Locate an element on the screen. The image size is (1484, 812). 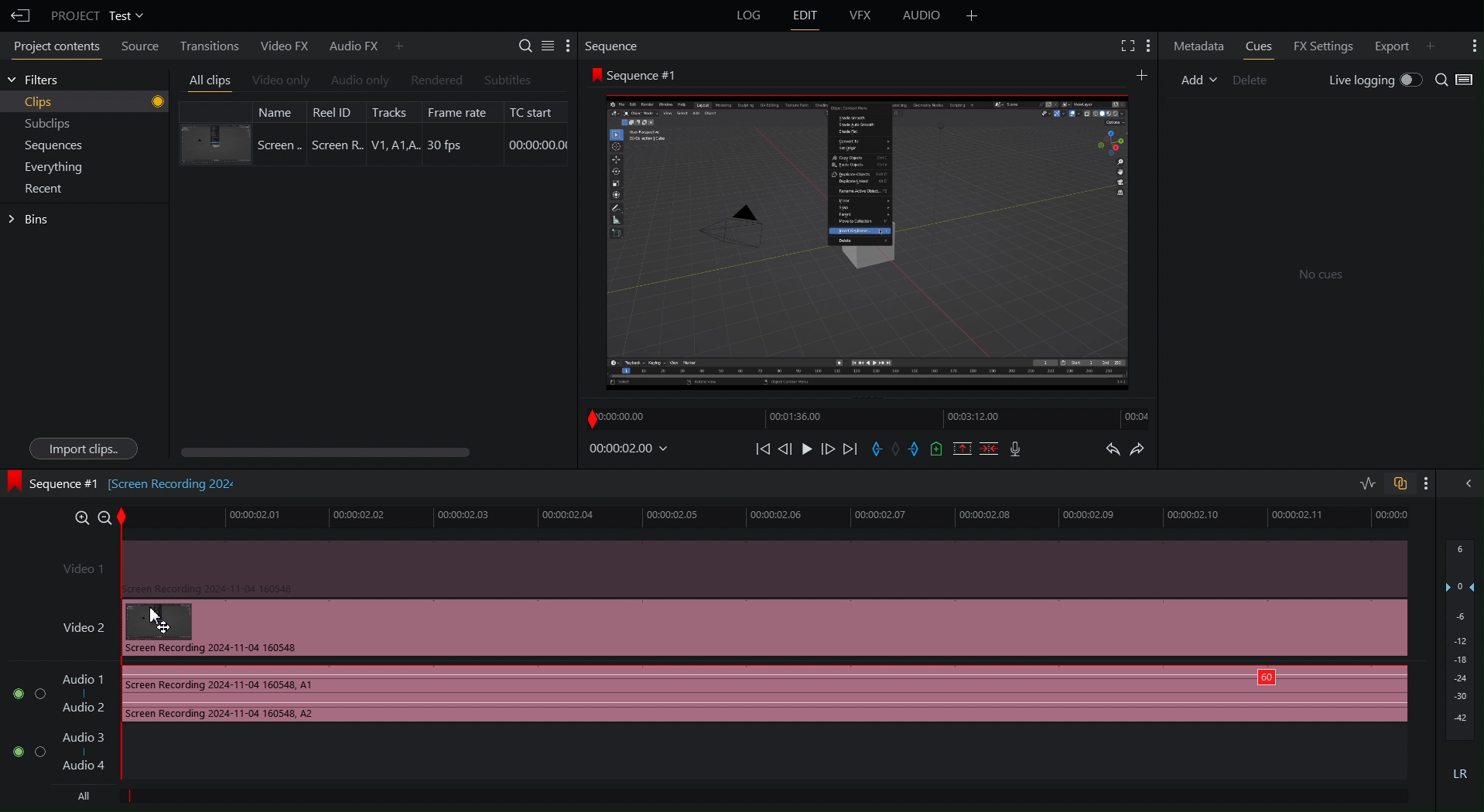
Fullscreen is located at coordinates (1125, 47).